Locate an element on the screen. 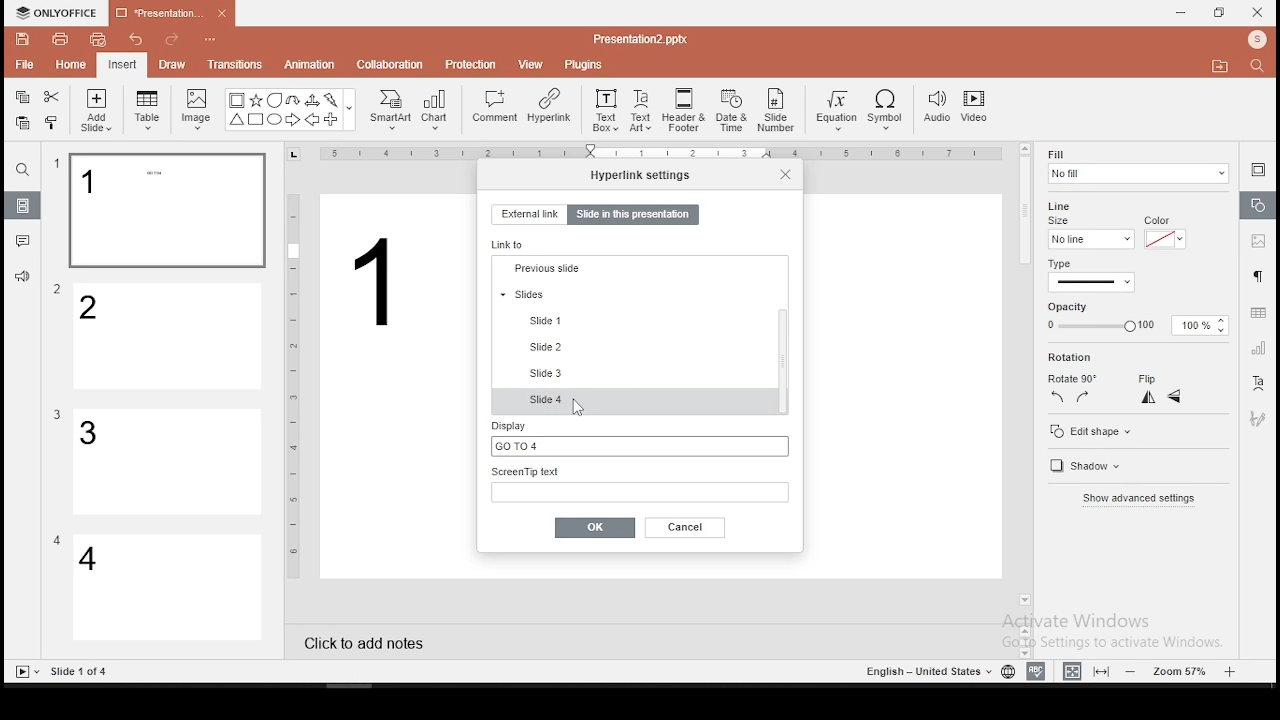  view is located at coordinates (532, 63).